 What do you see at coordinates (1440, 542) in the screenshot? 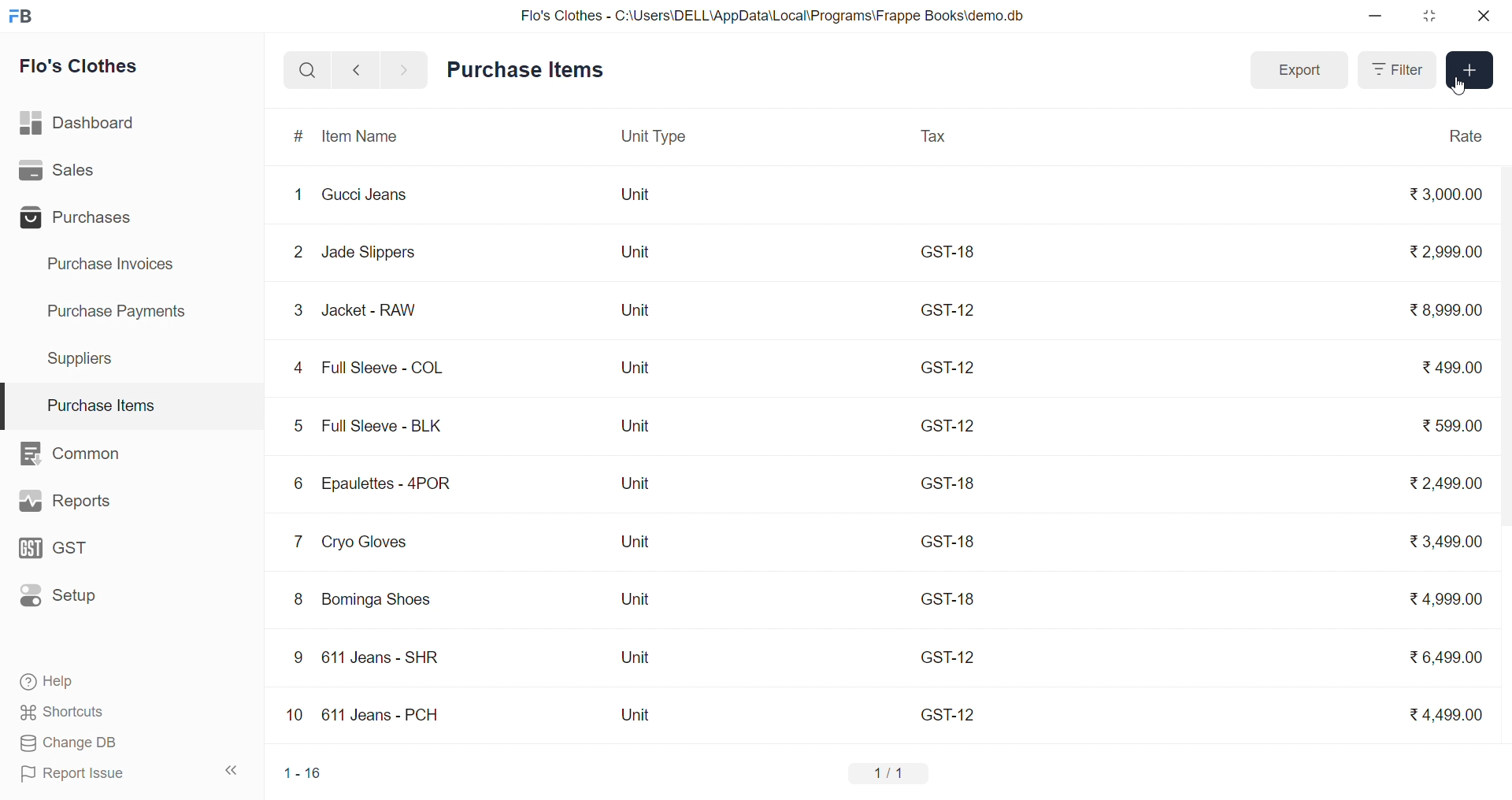
I see `₹3,499.00` at bounding box center [1440, 542].